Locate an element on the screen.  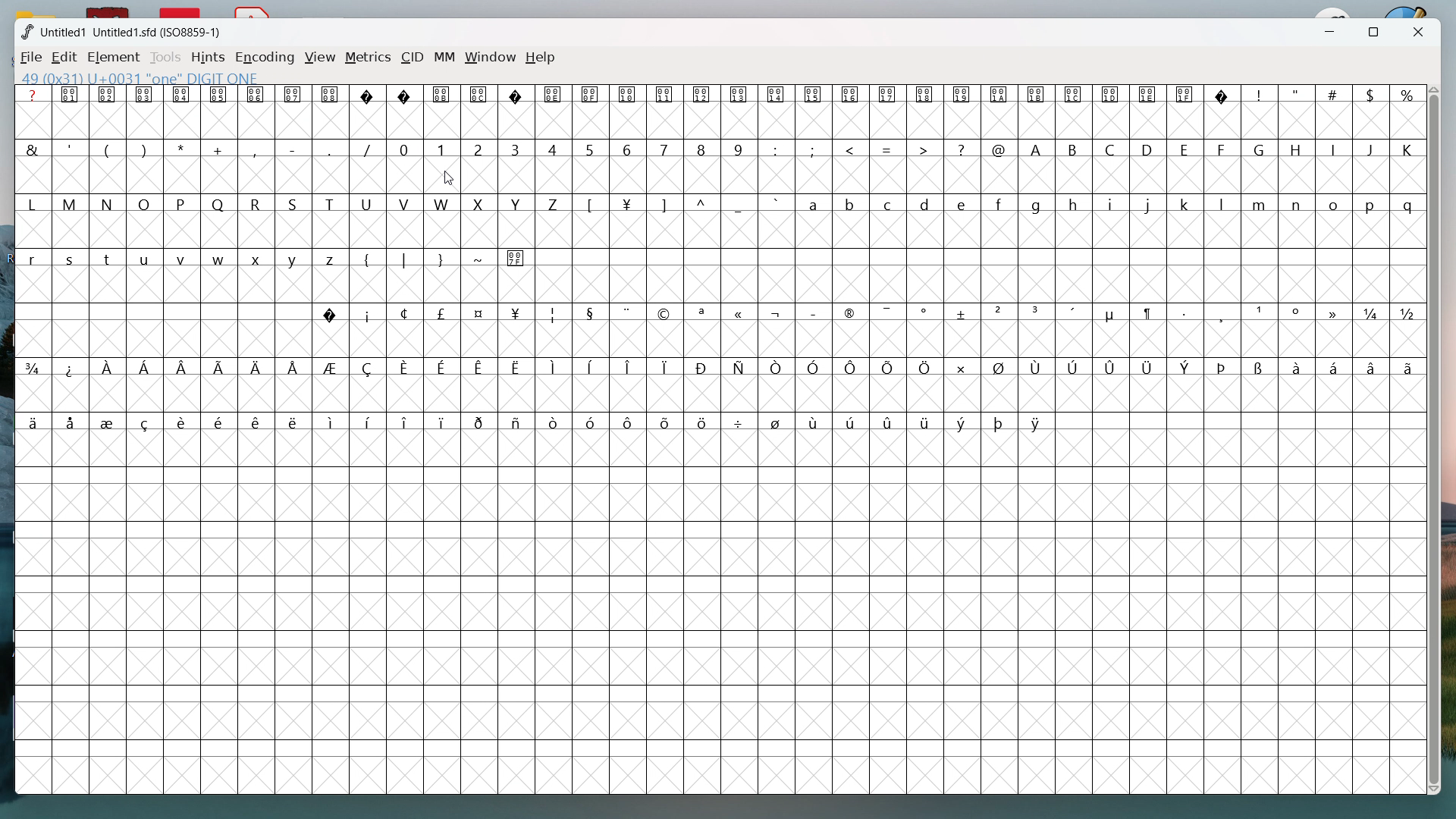
symbol is located at coordinates (293, 93).